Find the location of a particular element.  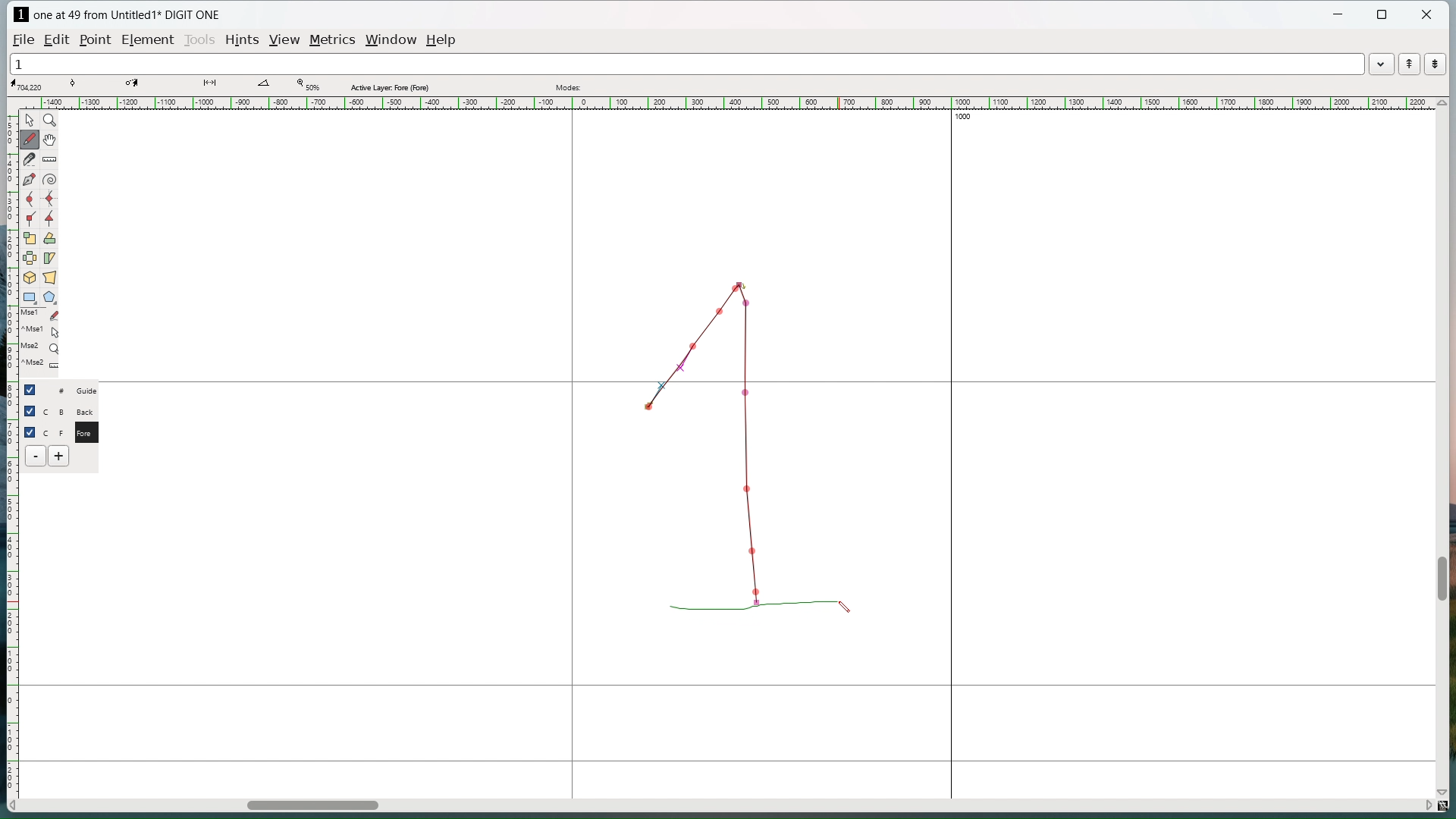

word list is located at coordinates (1382, 63).